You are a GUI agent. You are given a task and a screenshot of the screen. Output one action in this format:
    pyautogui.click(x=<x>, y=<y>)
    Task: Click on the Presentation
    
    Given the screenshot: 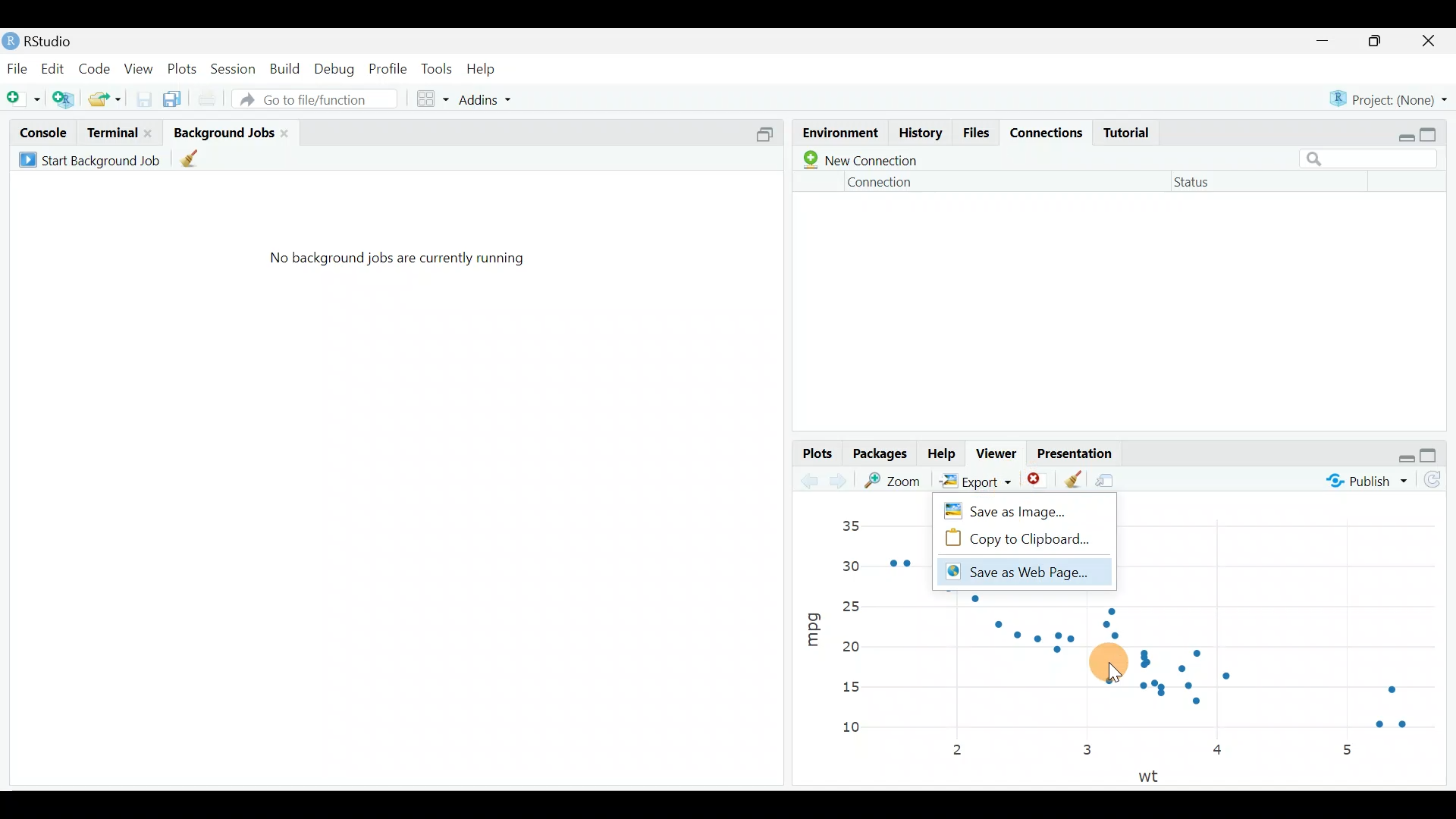 What is the action you would take?
    pyautogui.click(x=1078, y=450)
    